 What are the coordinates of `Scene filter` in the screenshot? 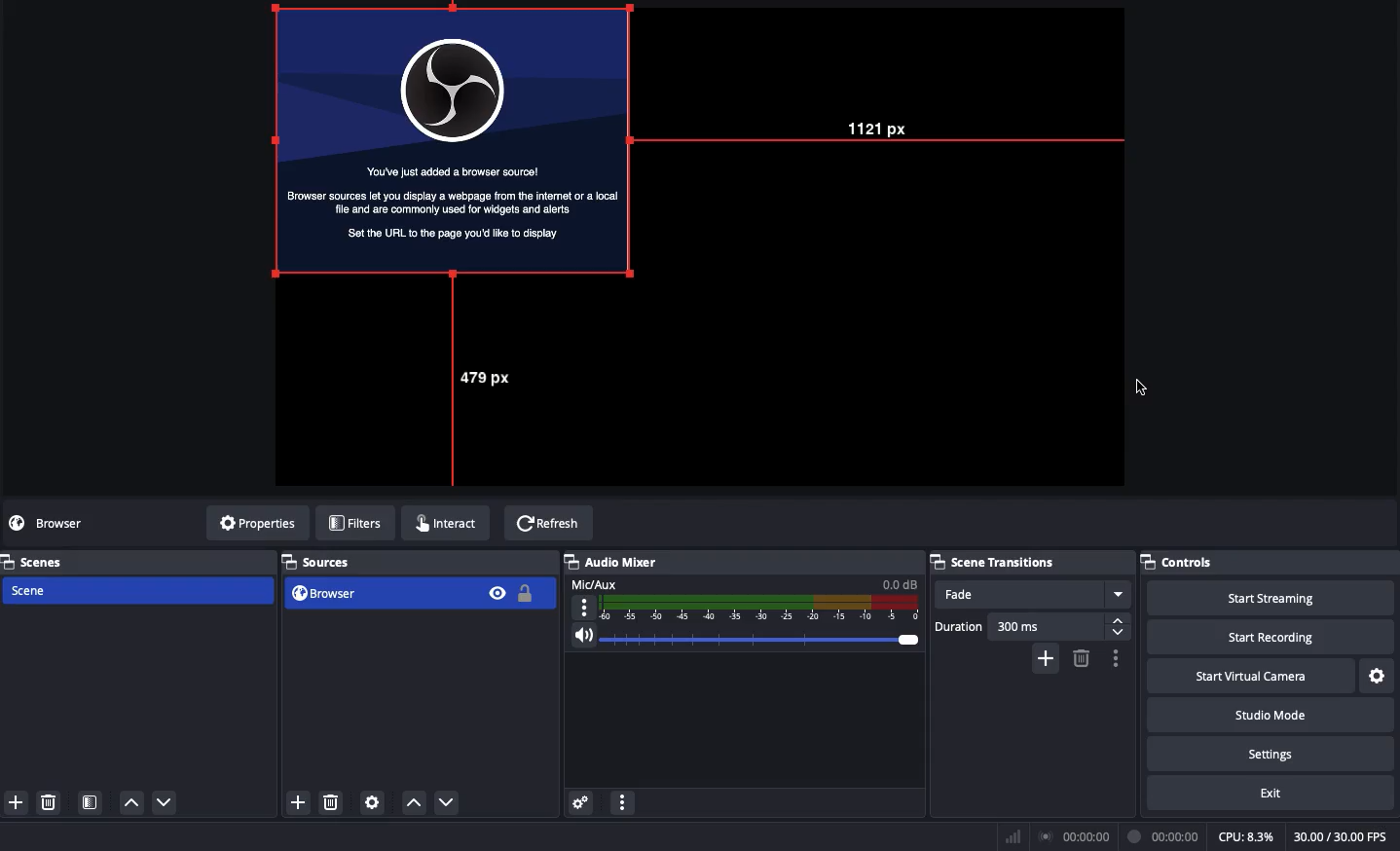 It's located at (89, 798).